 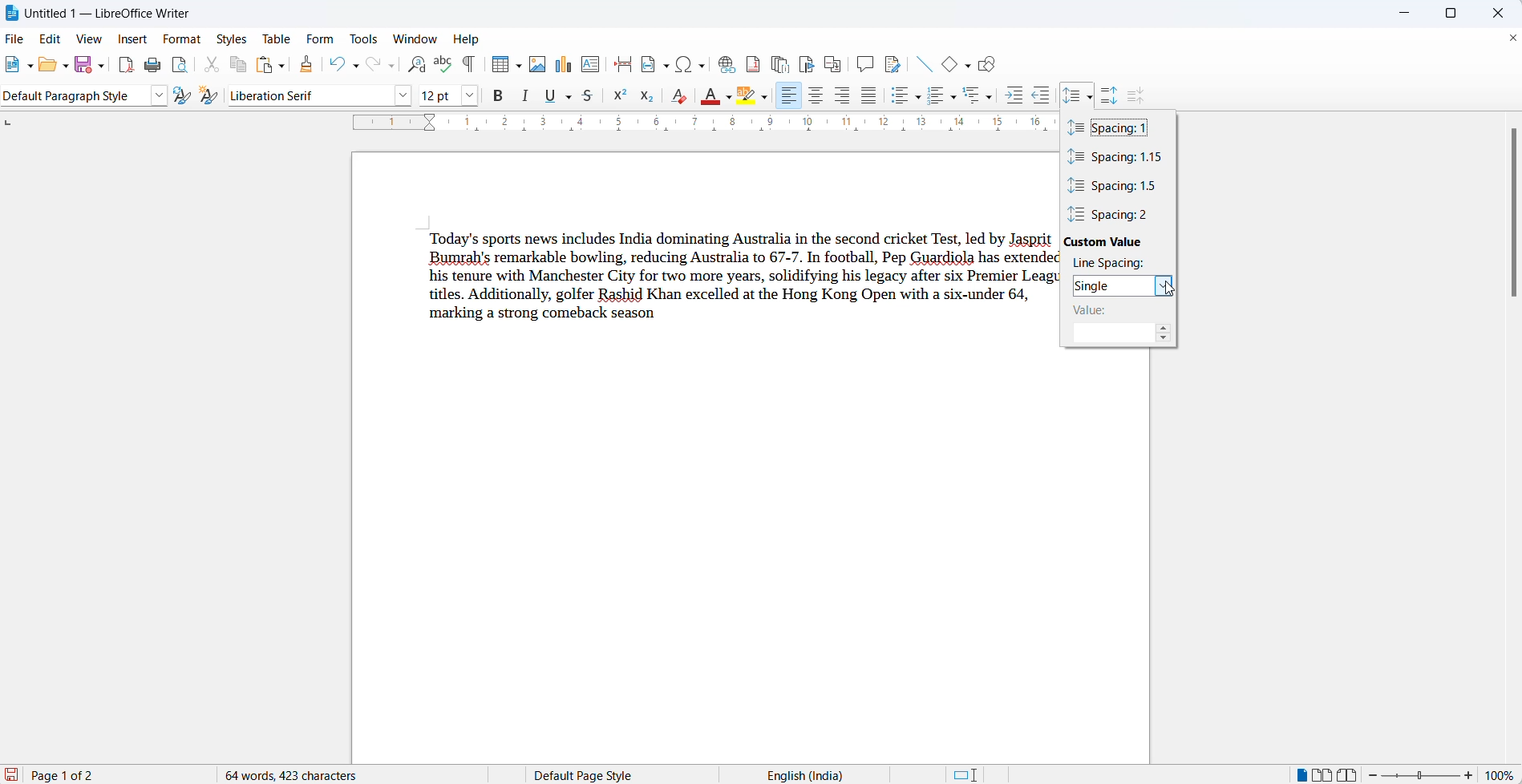 I want to click on undo options, so click(x=354, y=66).